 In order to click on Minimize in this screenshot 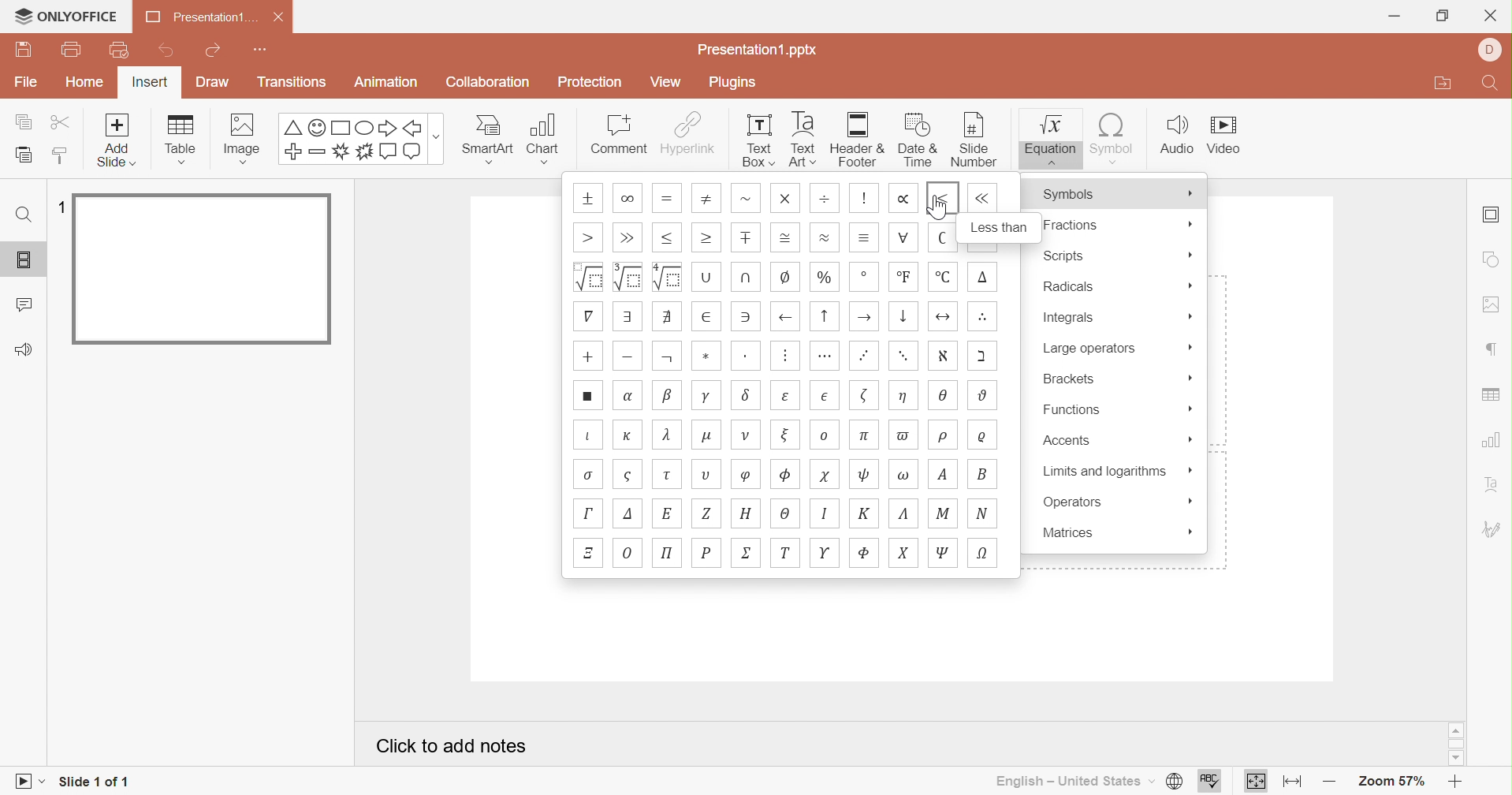, I will do `click(1395, 14)`.